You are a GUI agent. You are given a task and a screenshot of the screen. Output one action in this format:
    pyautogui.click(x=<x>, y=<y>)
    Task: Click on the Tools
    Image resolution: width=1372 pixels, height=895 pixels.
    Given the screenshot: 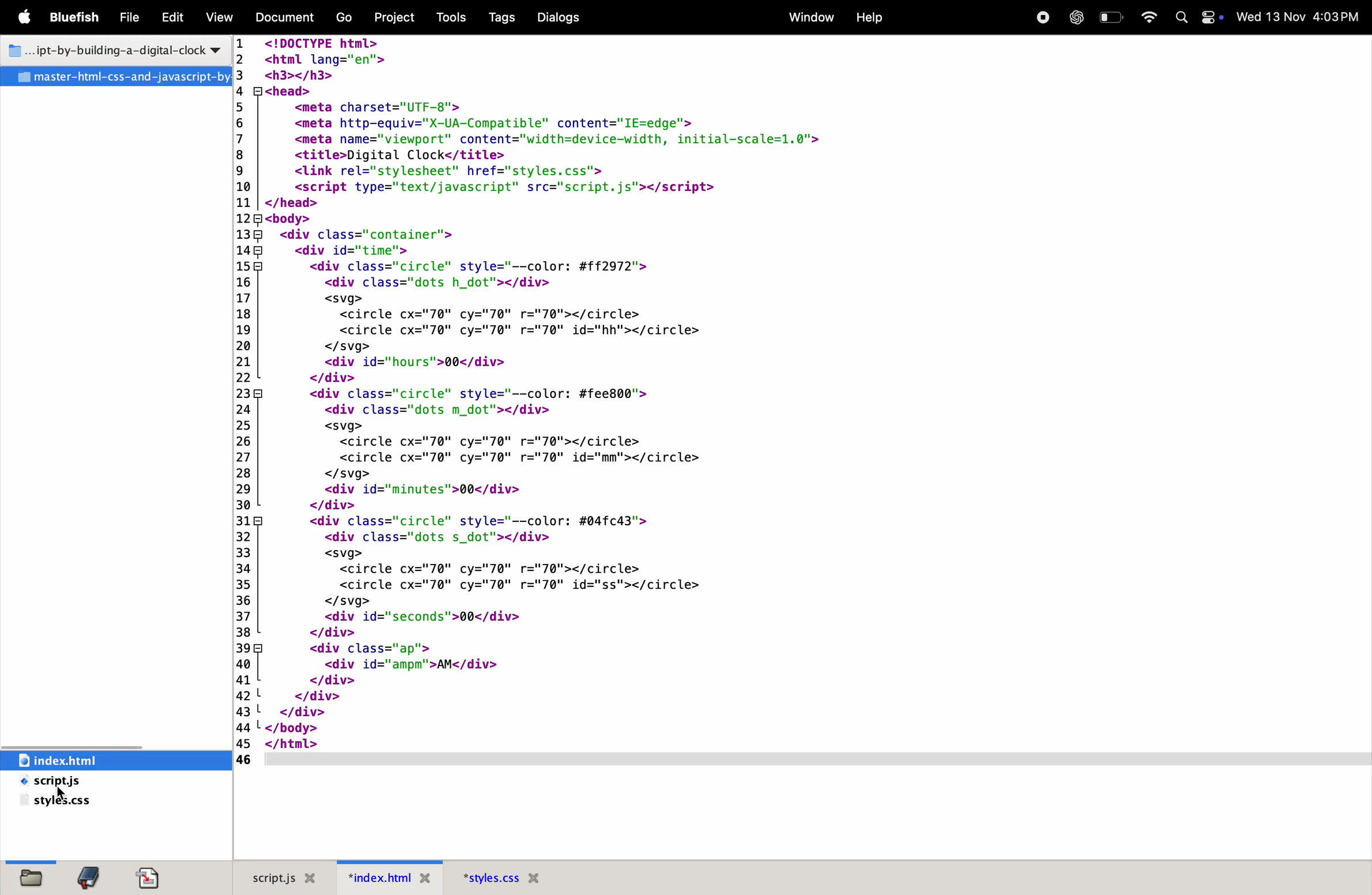 What is the action you would take?
    pyautogui.click(x=454, y=16)
    